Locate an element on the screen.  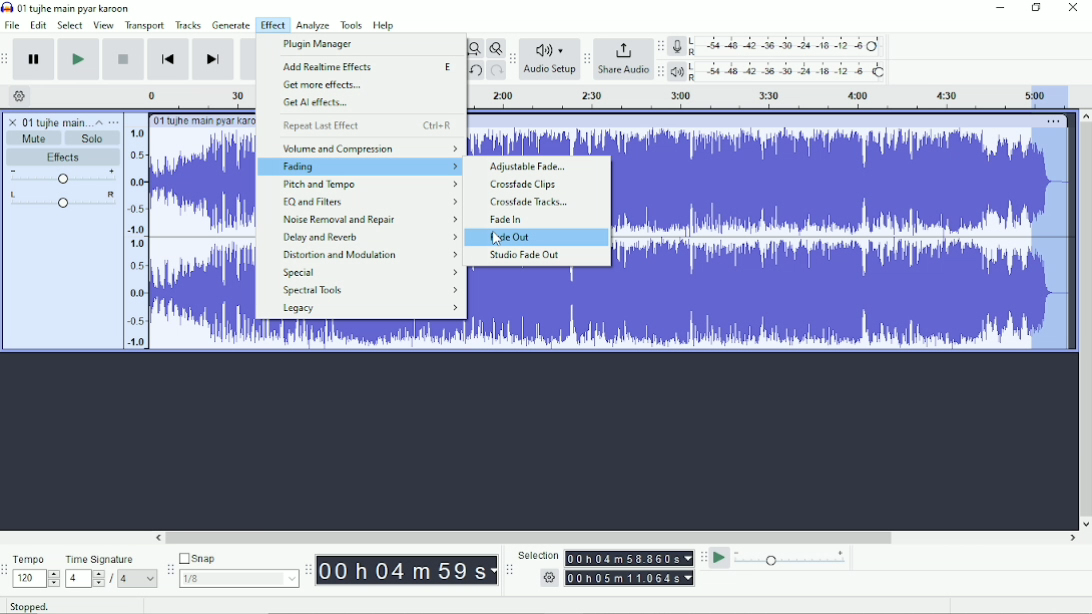
4 is located at coordinates (84, 580).